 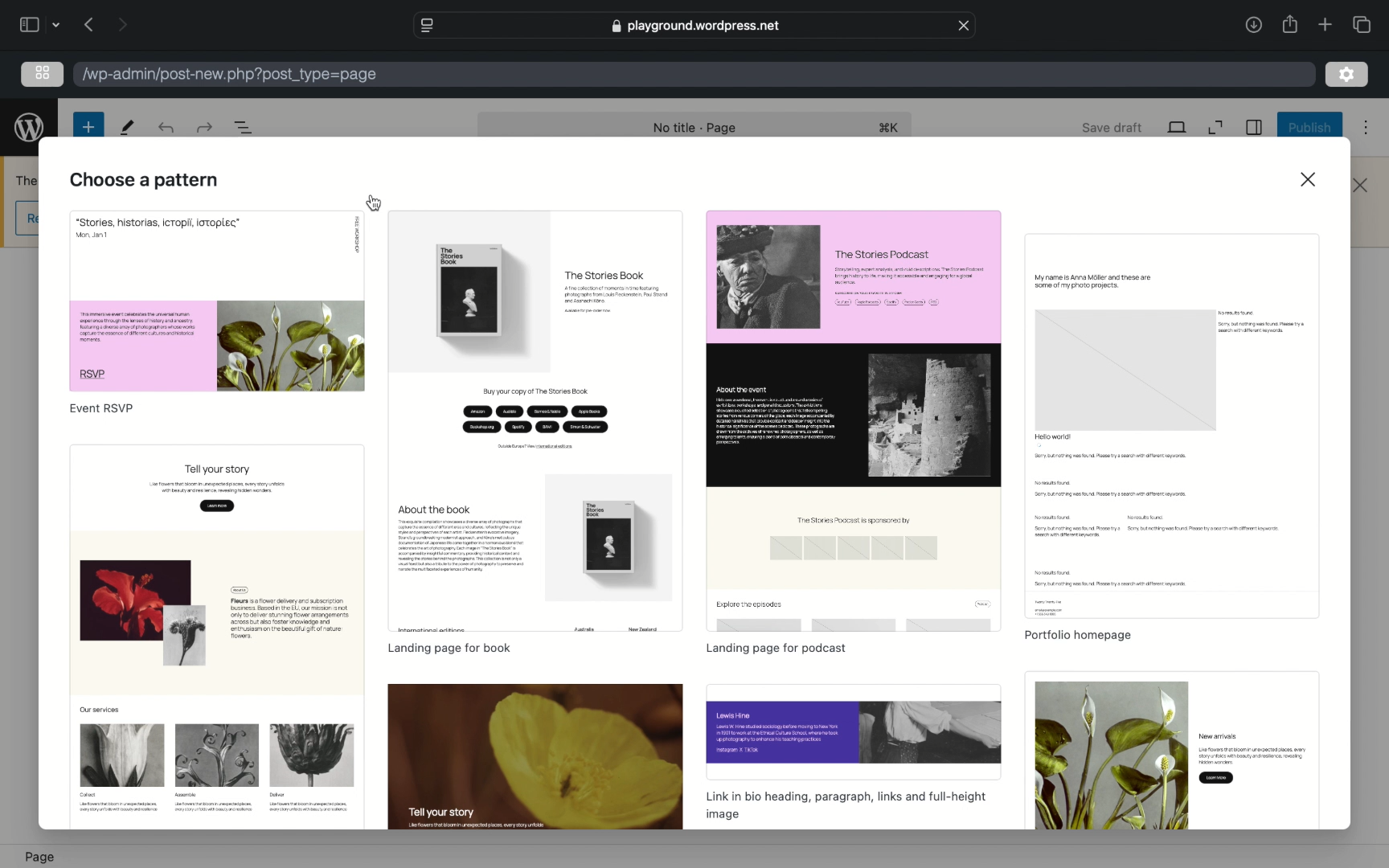 What do you see at coordinates (166, 129) in the screenshot?
I see `redo` at bounding box center [166, 129].